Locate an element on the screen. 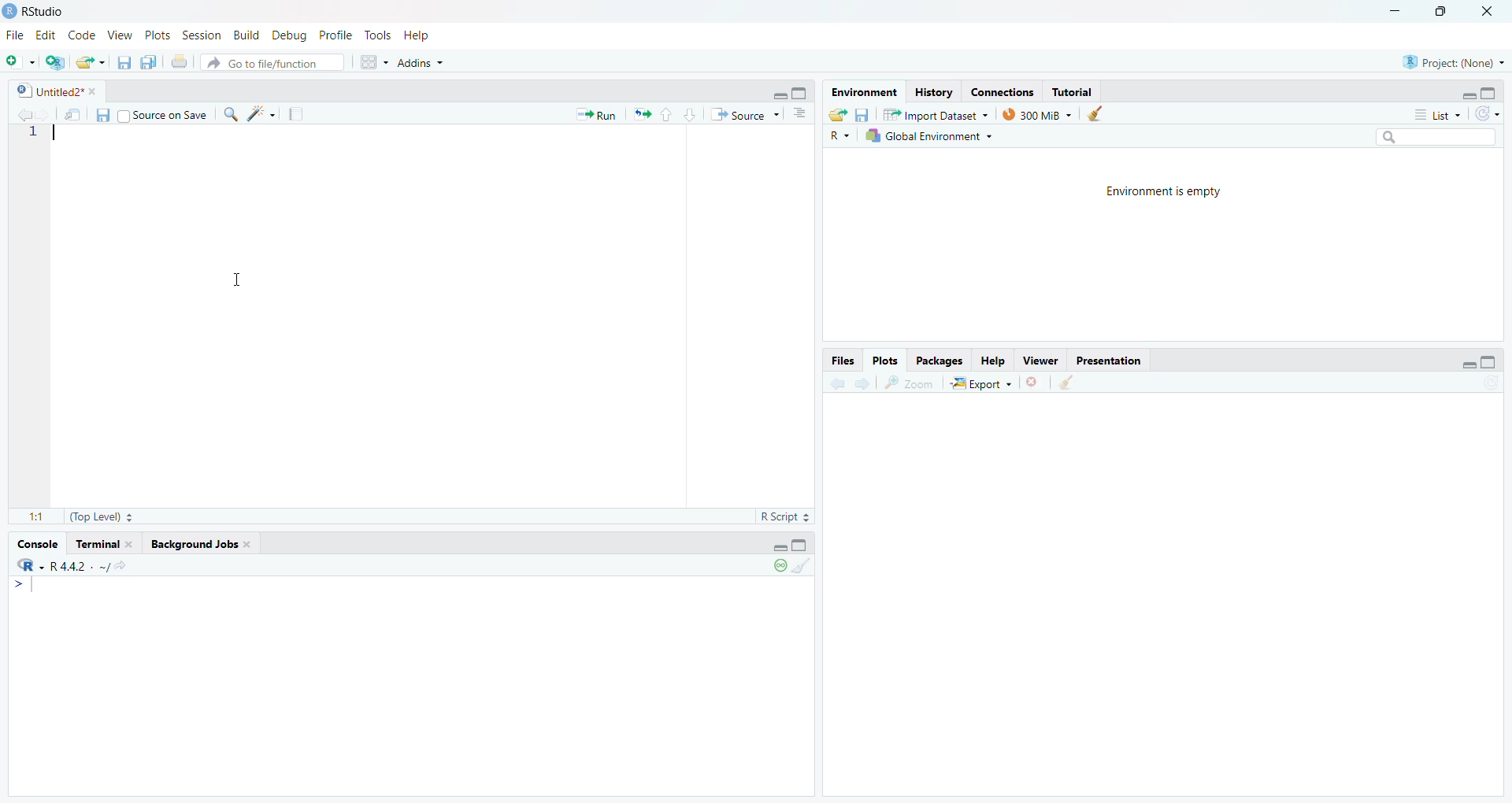 The image size is (1512, 803). Environment is empty is located at coordinates (1158, 191).